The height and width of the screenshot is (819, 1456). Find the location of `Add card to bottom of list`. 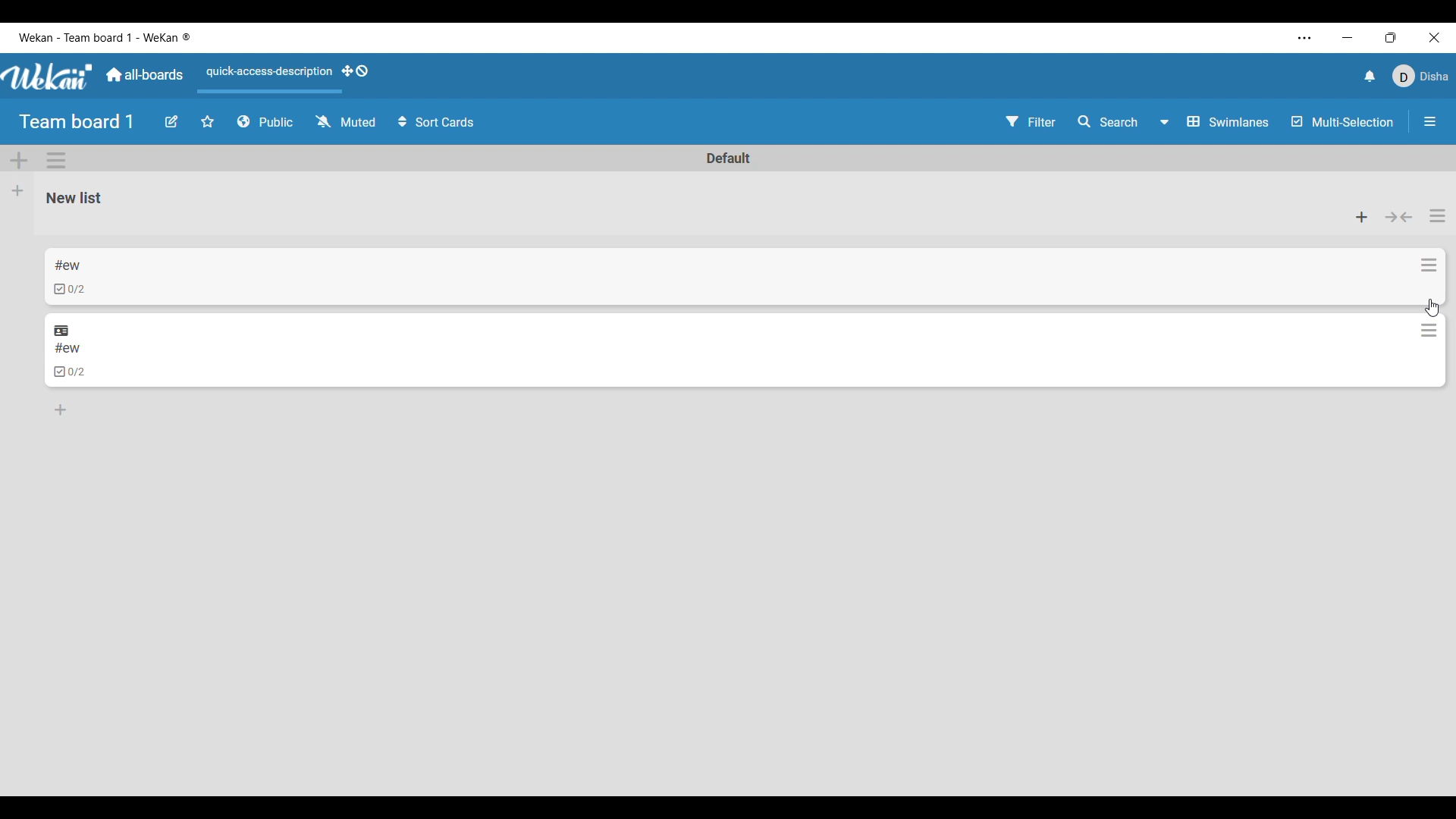

Add card to bottom of list is located at coordinates (61, 411).